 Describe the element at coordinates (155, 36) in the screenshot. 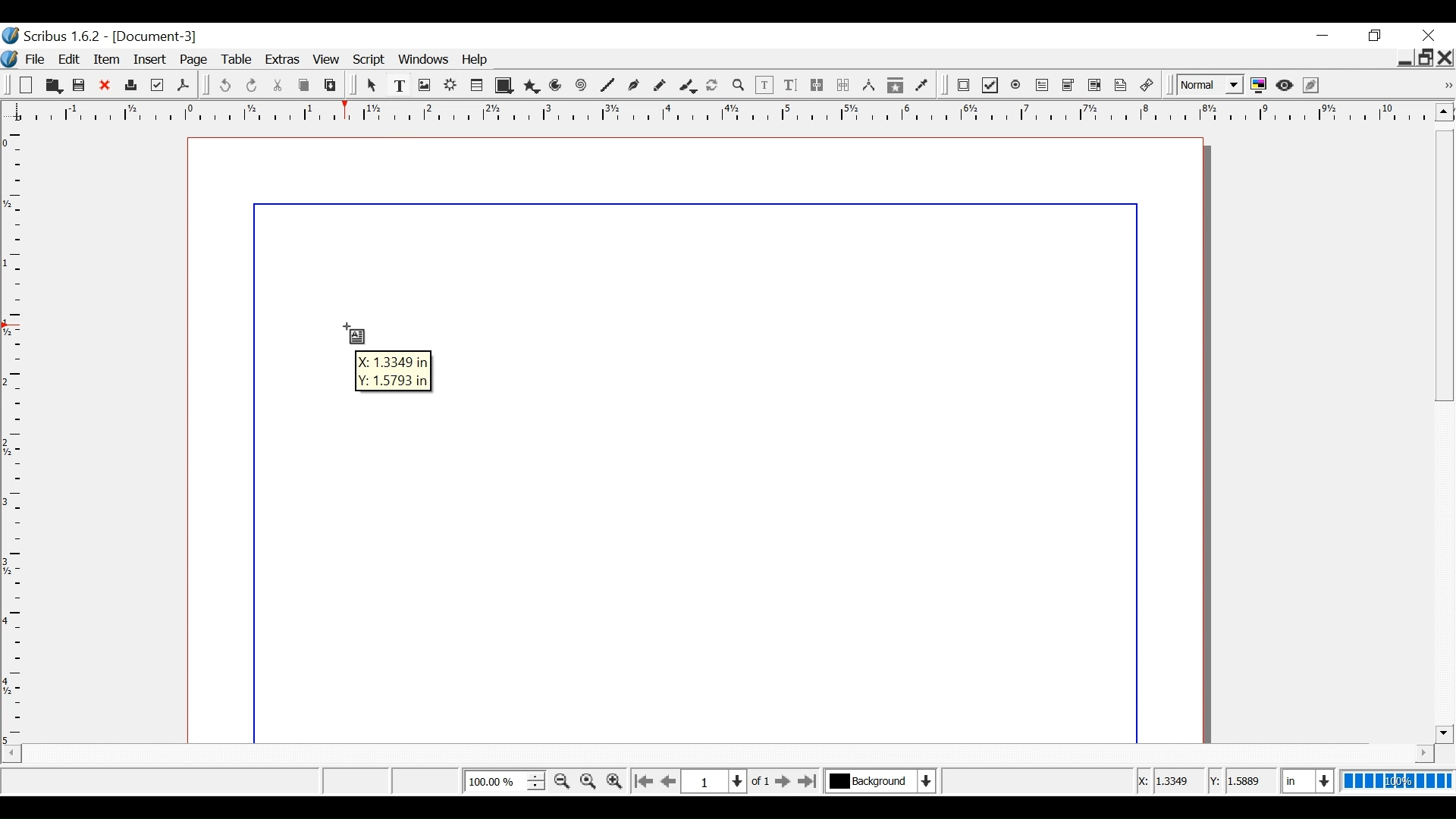

I see `Document` at that location.